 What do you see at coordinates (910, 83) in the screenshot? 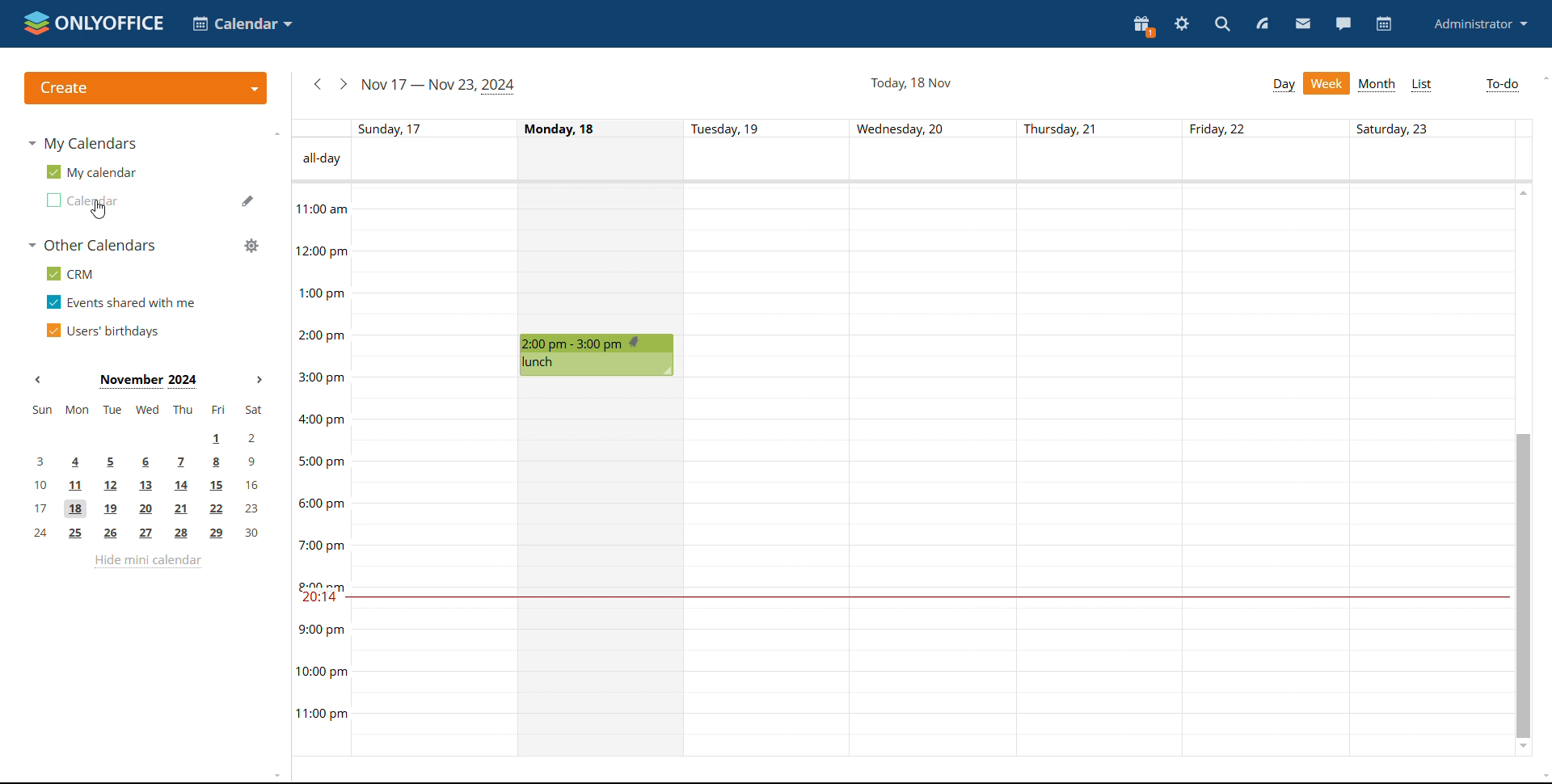
I see `current date` at bounding box center [910, 83].